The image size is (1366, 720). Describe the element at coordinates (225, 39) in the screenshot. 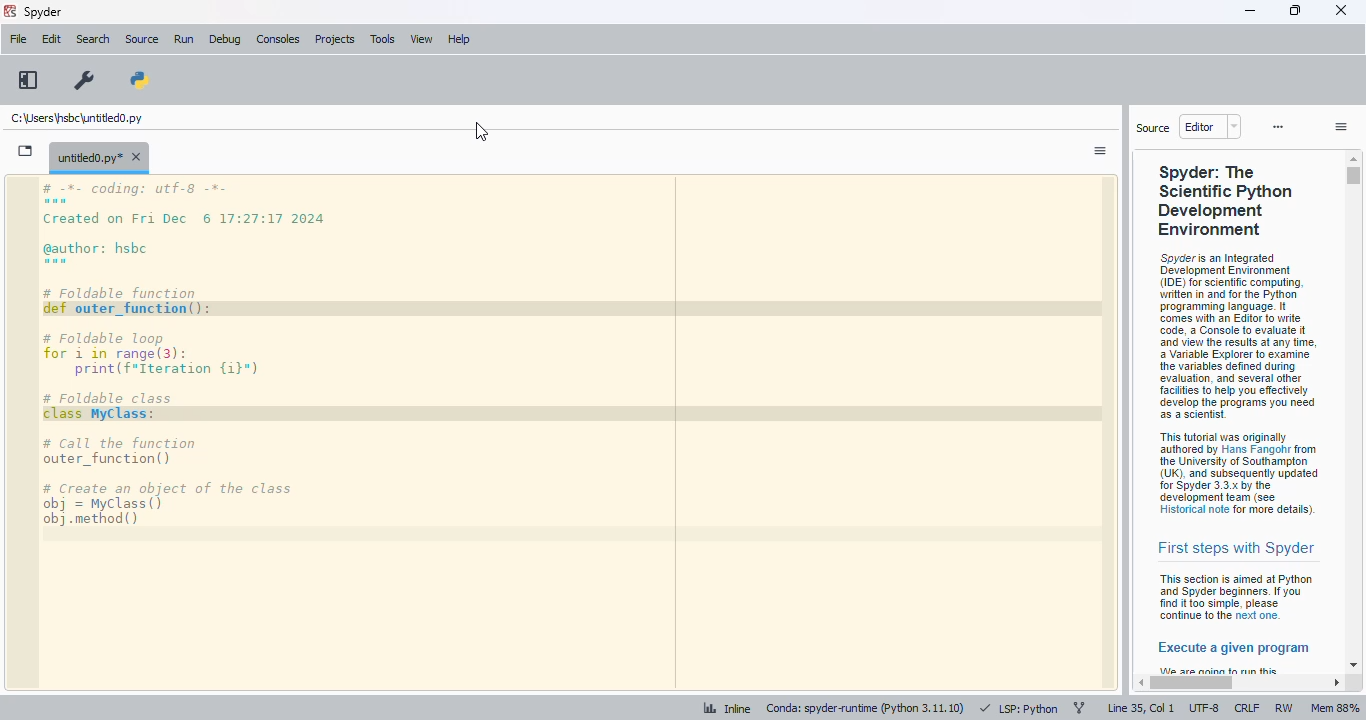

I see `debug` at that location.